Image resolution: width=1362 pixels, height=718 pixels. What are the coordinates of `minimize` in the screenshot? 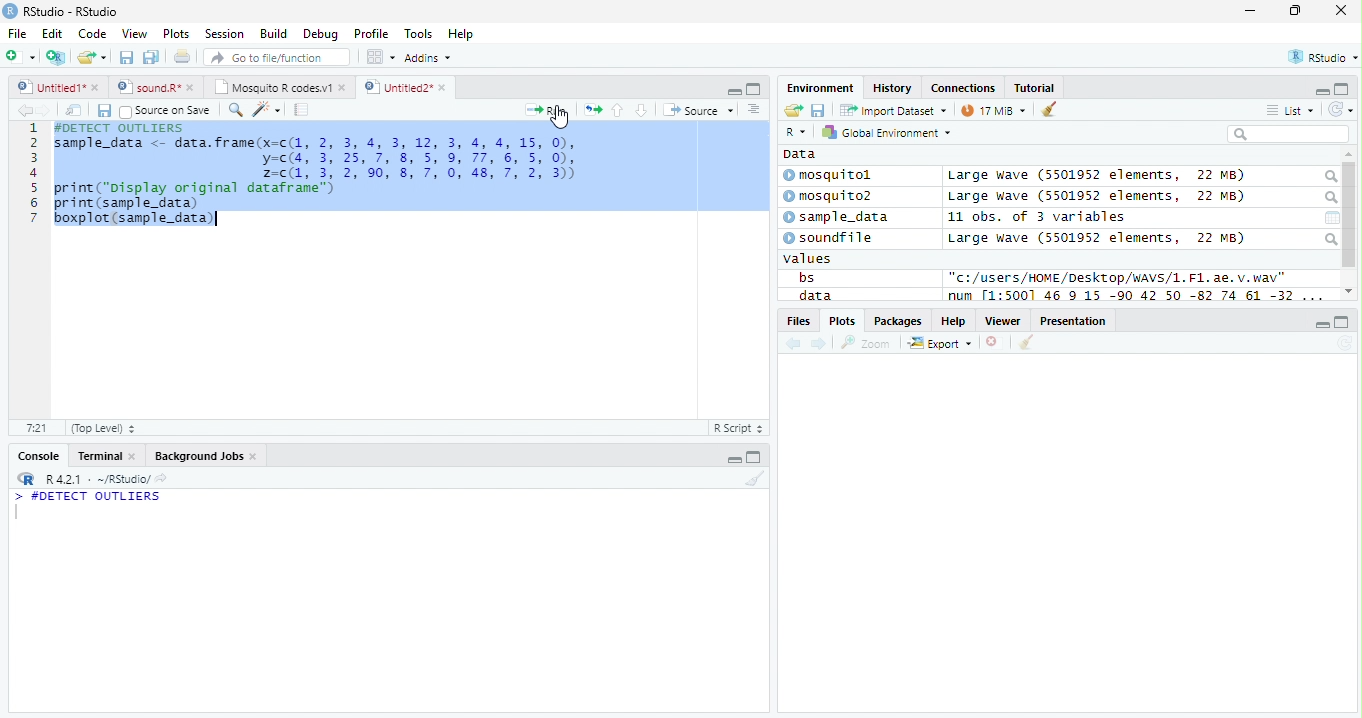 It's located at (732, 456).